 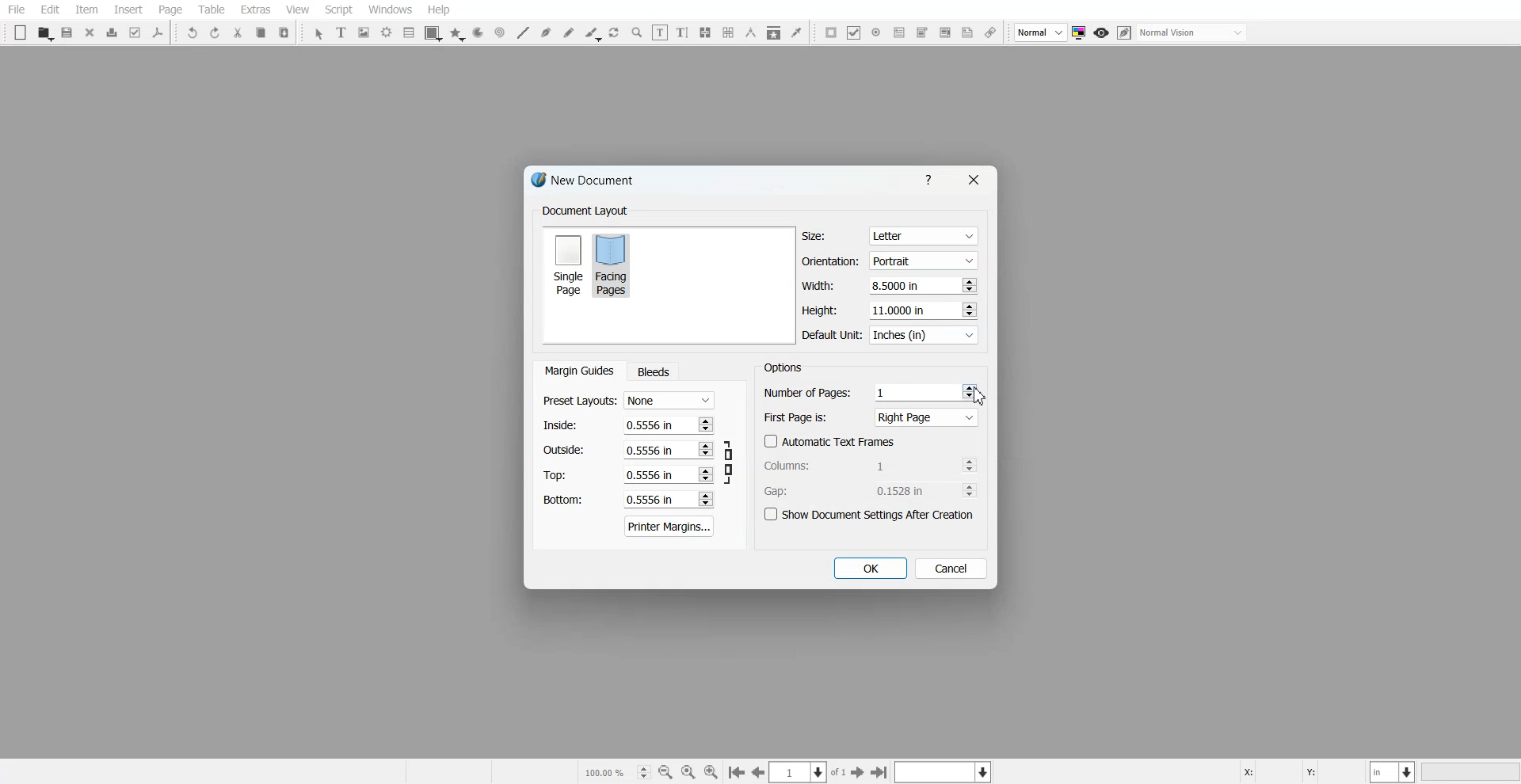 What do you see at coordinates (945, 771) in the screenshot?
I see `Select the current layer` at bounding box center [945, 771].